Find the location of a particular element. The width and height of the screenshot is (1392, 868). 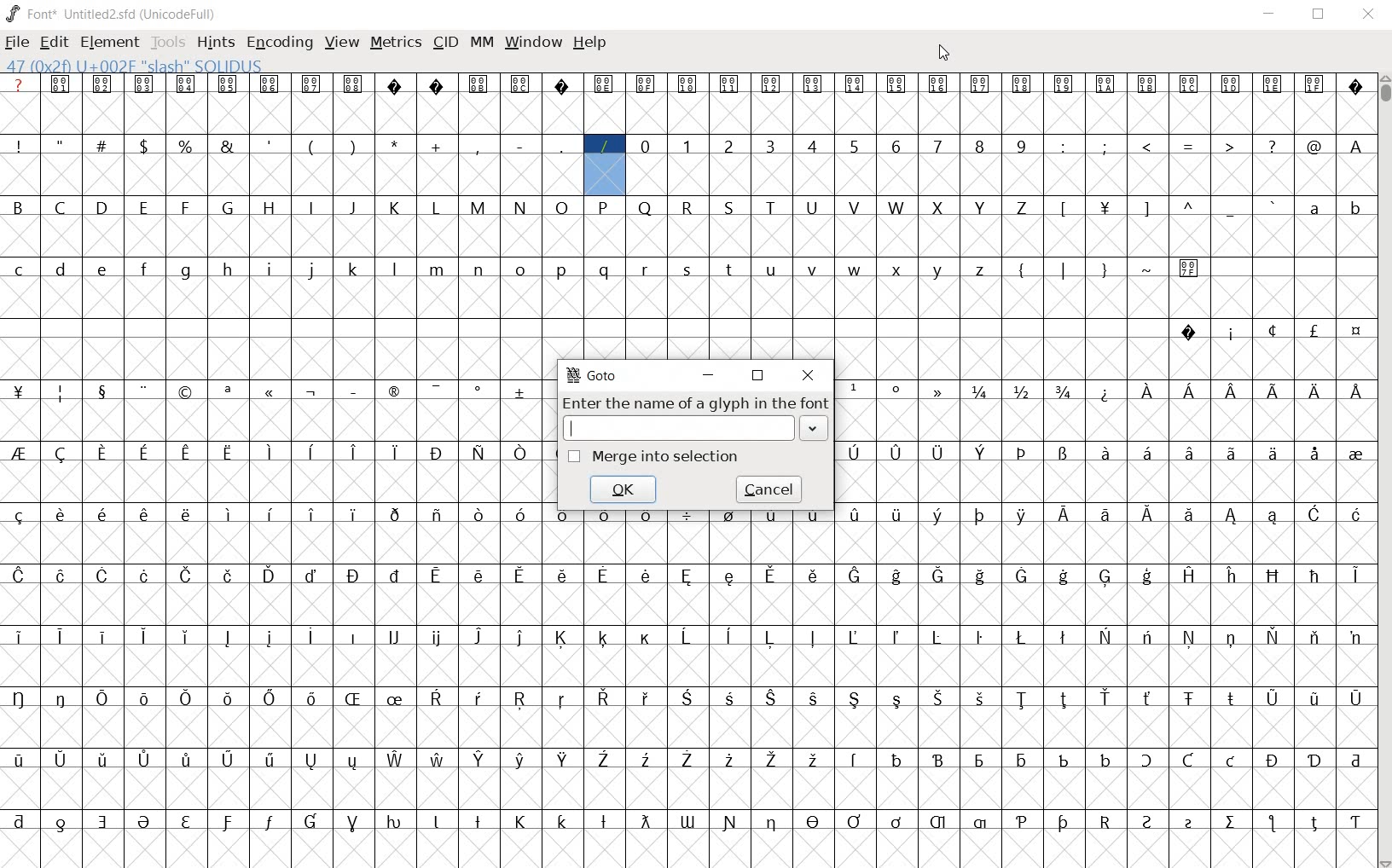

glyph is located at coordinates (143, 454).